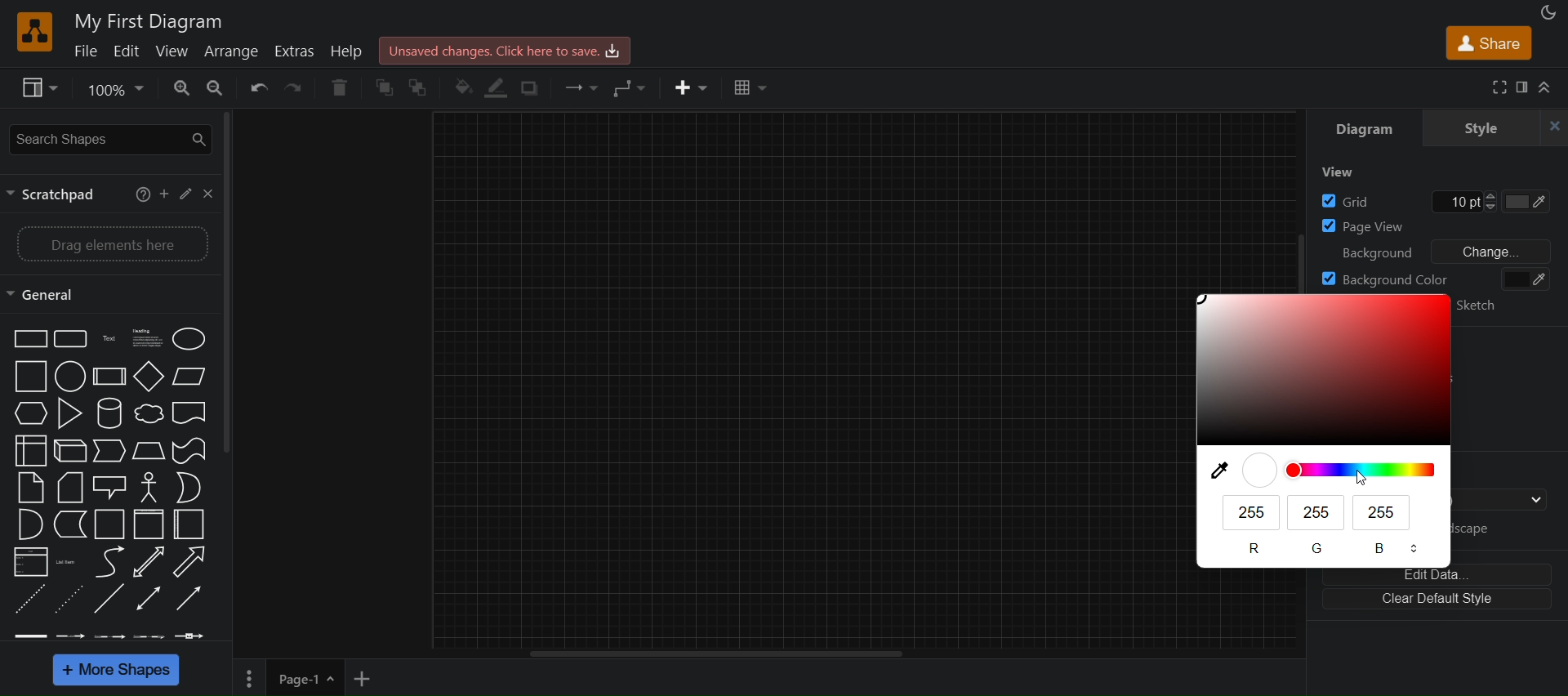 The height and width of the screenshot is (696, 1568). What do you see at coordinates (1521, 87) in the screenshot?
I see `format` at bounding box center [1521, 87].